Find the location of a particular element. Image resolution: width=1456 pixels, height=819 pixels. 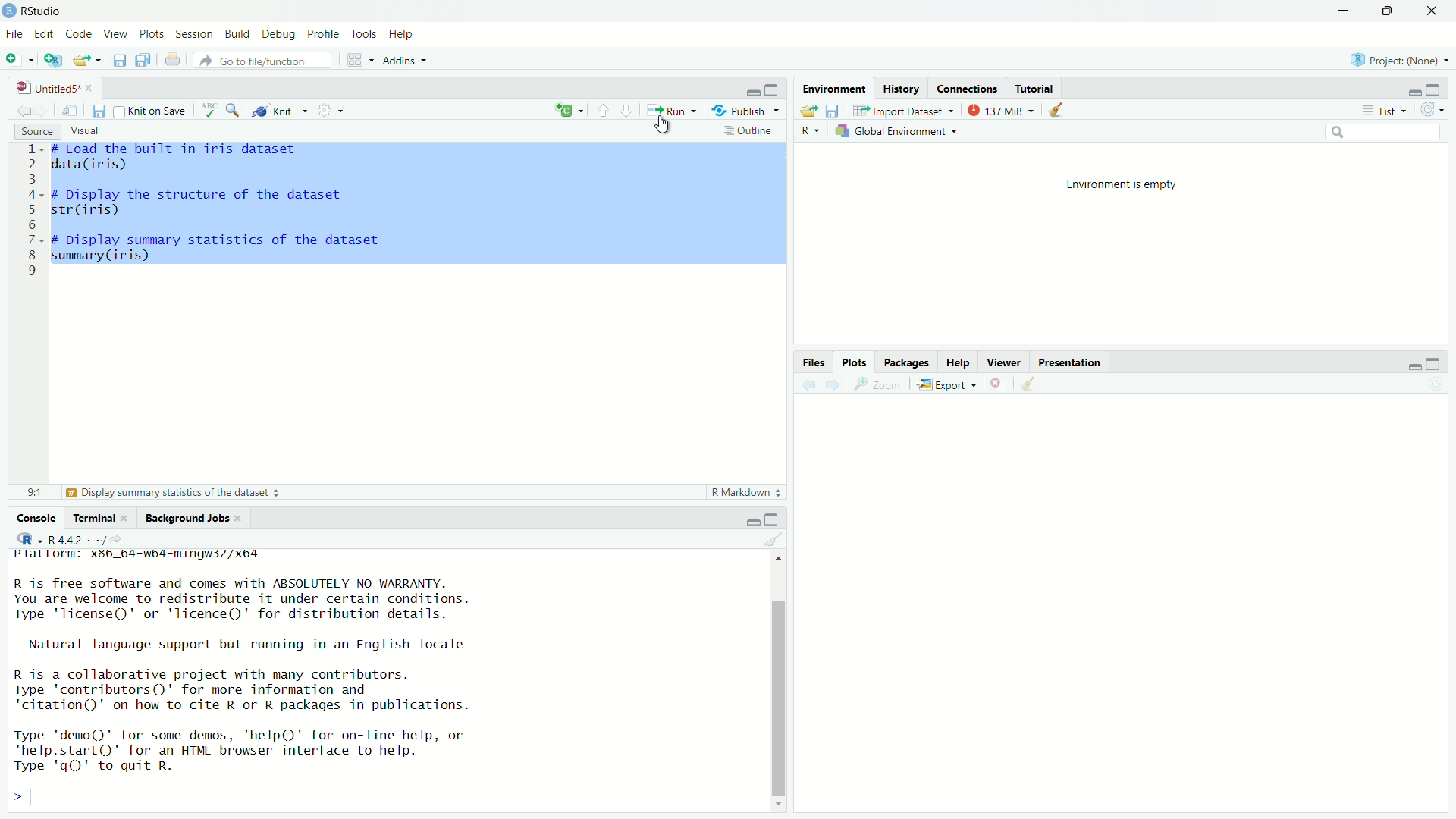

Global Environment is located at coordinates (895, 131).